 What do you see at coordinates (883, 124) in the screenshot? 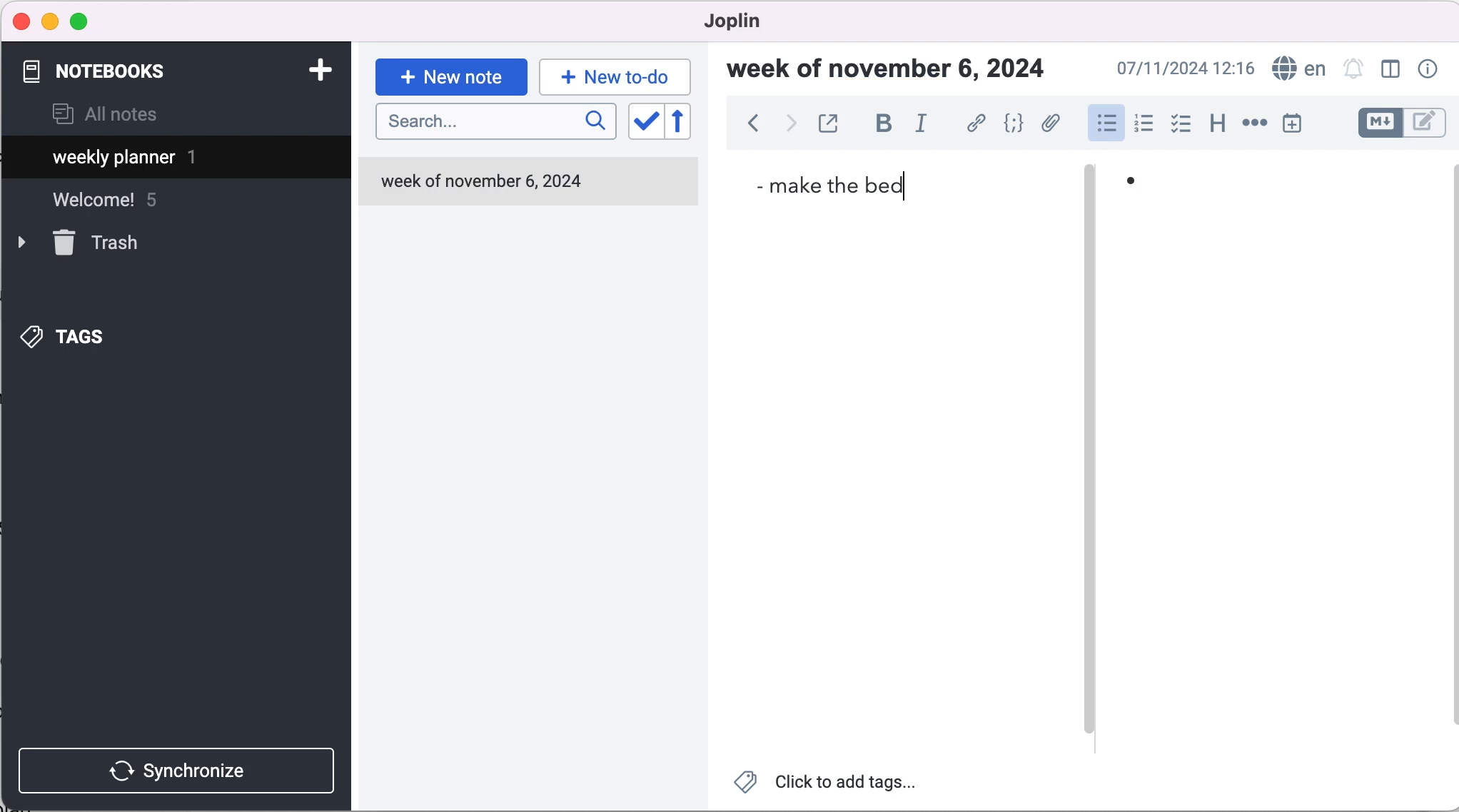
I see `bold` at bounding box center [883, 124].